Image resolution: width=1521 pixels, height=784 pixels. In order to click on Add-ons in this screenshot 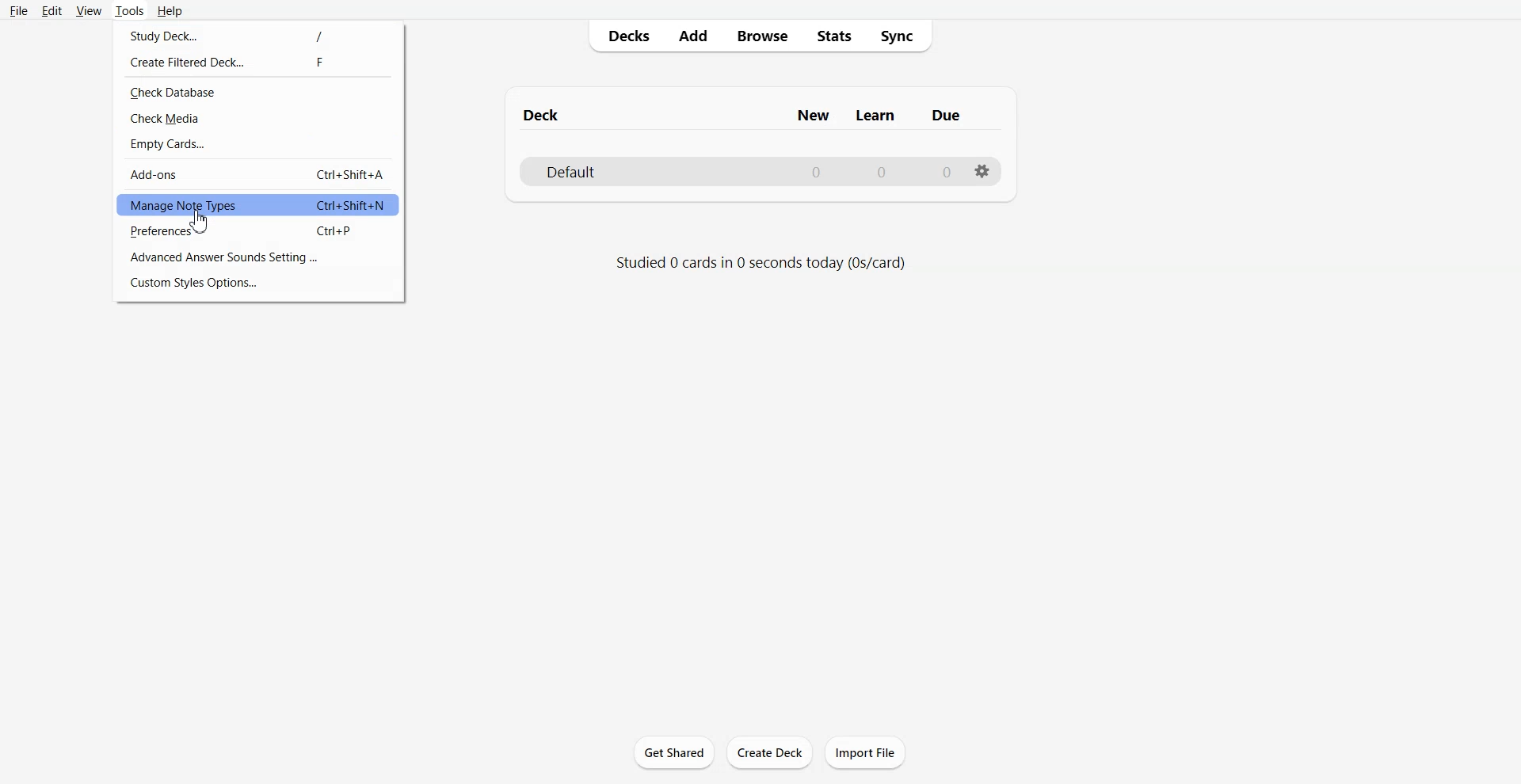, I will do `click(259, 174)`.